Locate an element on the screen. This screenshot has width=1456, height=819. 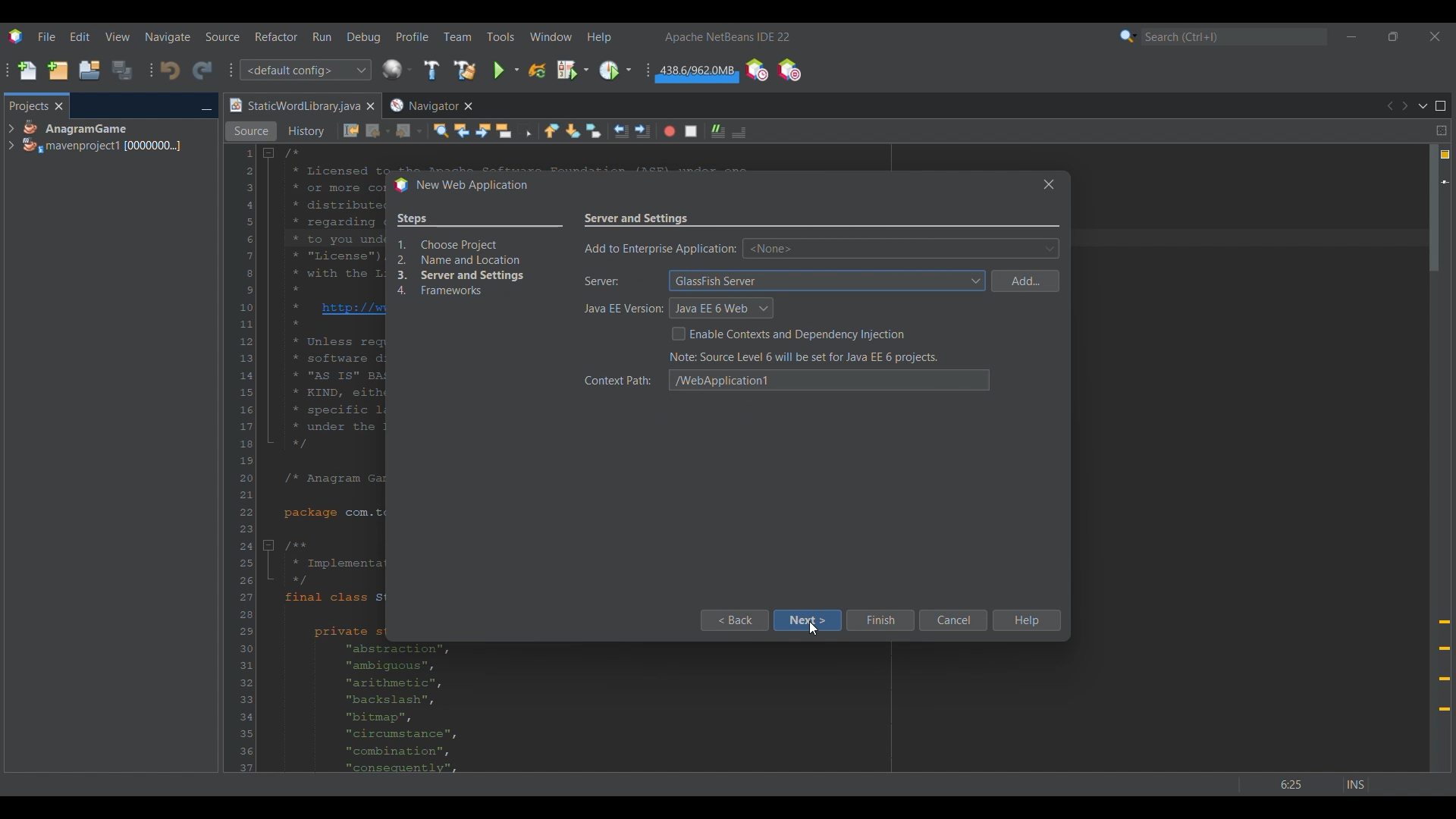
Team menu is located at coordinates (457, 36).